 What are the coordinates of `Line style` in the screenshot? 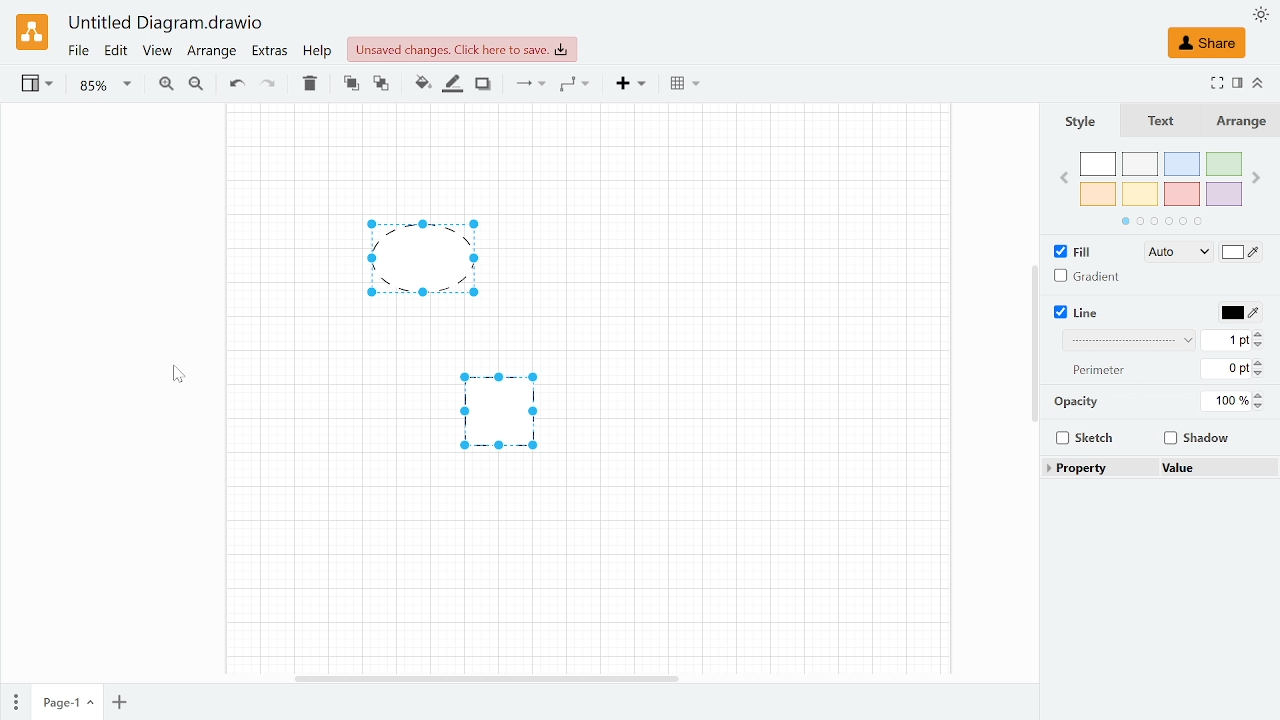 It's located at (1130, 342).